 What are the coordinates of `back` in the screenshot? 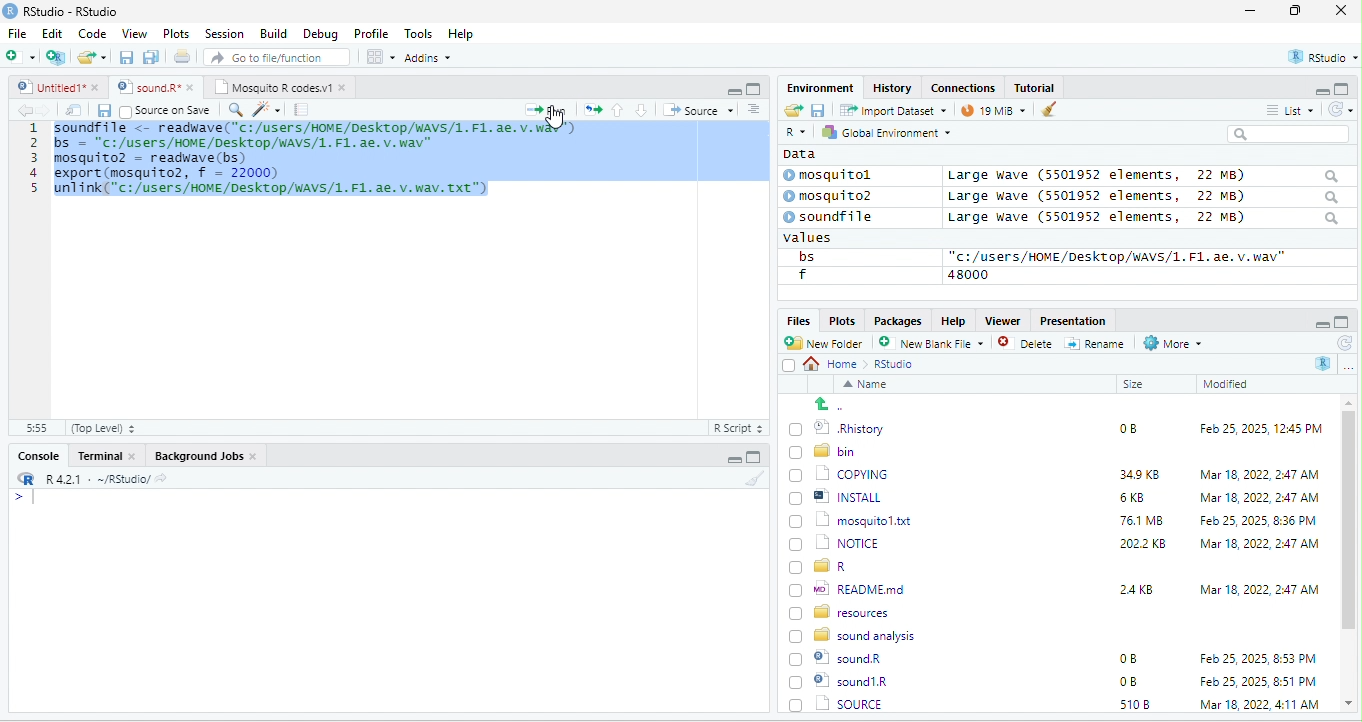 It's located at (28, 111).